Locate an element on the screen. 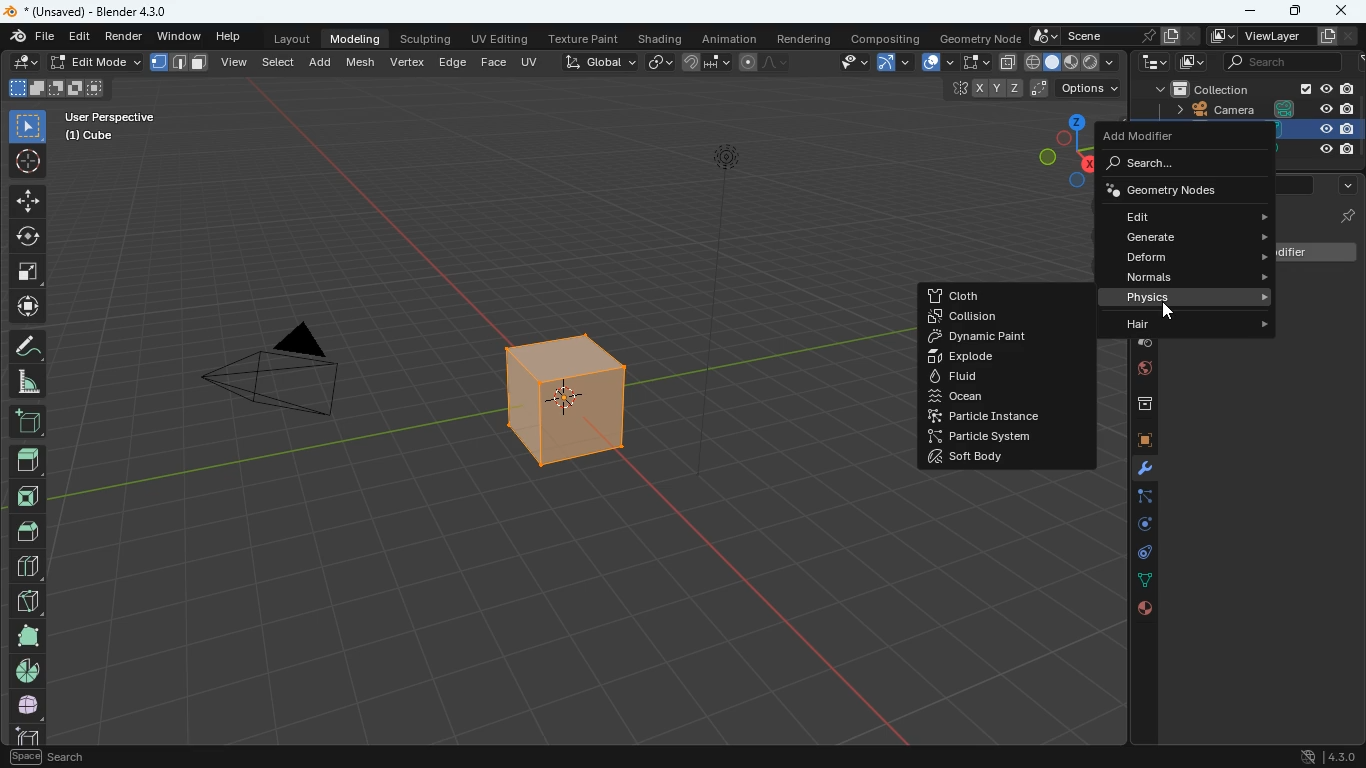 This screenshot has height=768, width=1366. public is located at coordinates (1145, 609).